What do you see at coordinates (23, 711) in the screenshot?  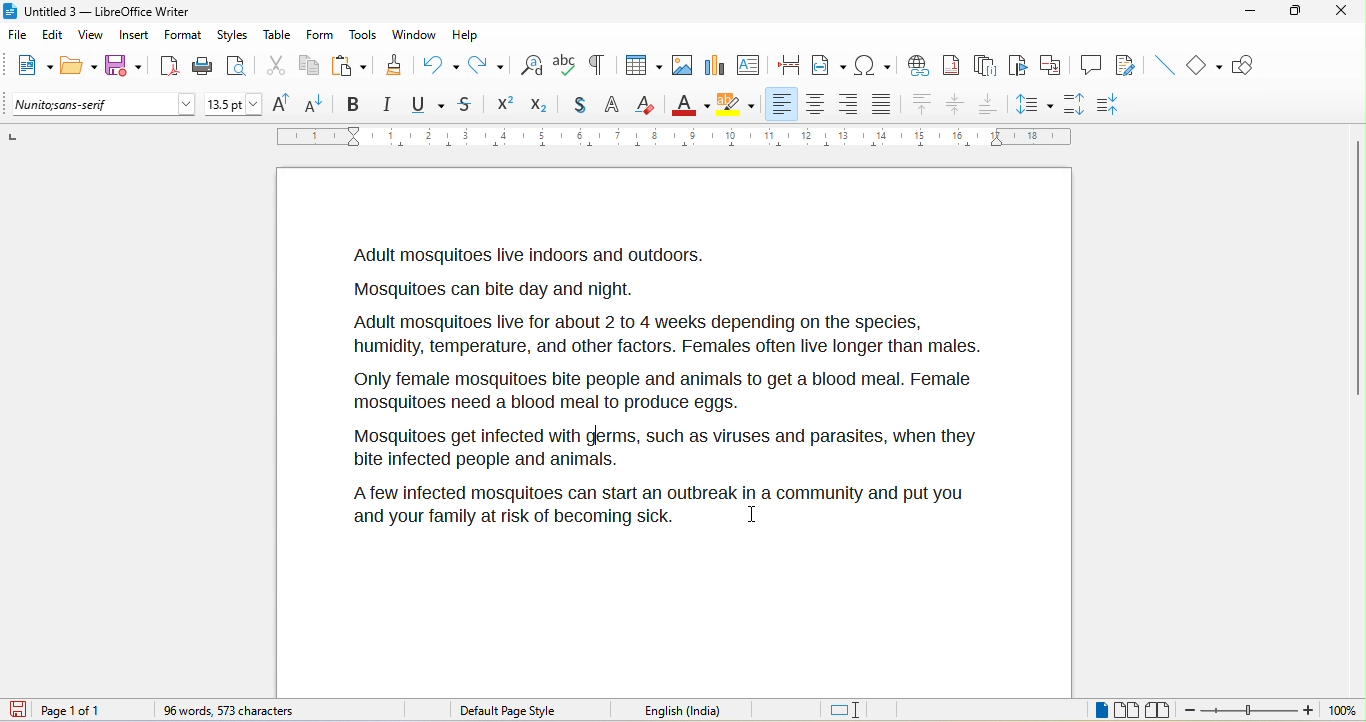 I see `click to save the document` at bounding box center [23, 711].